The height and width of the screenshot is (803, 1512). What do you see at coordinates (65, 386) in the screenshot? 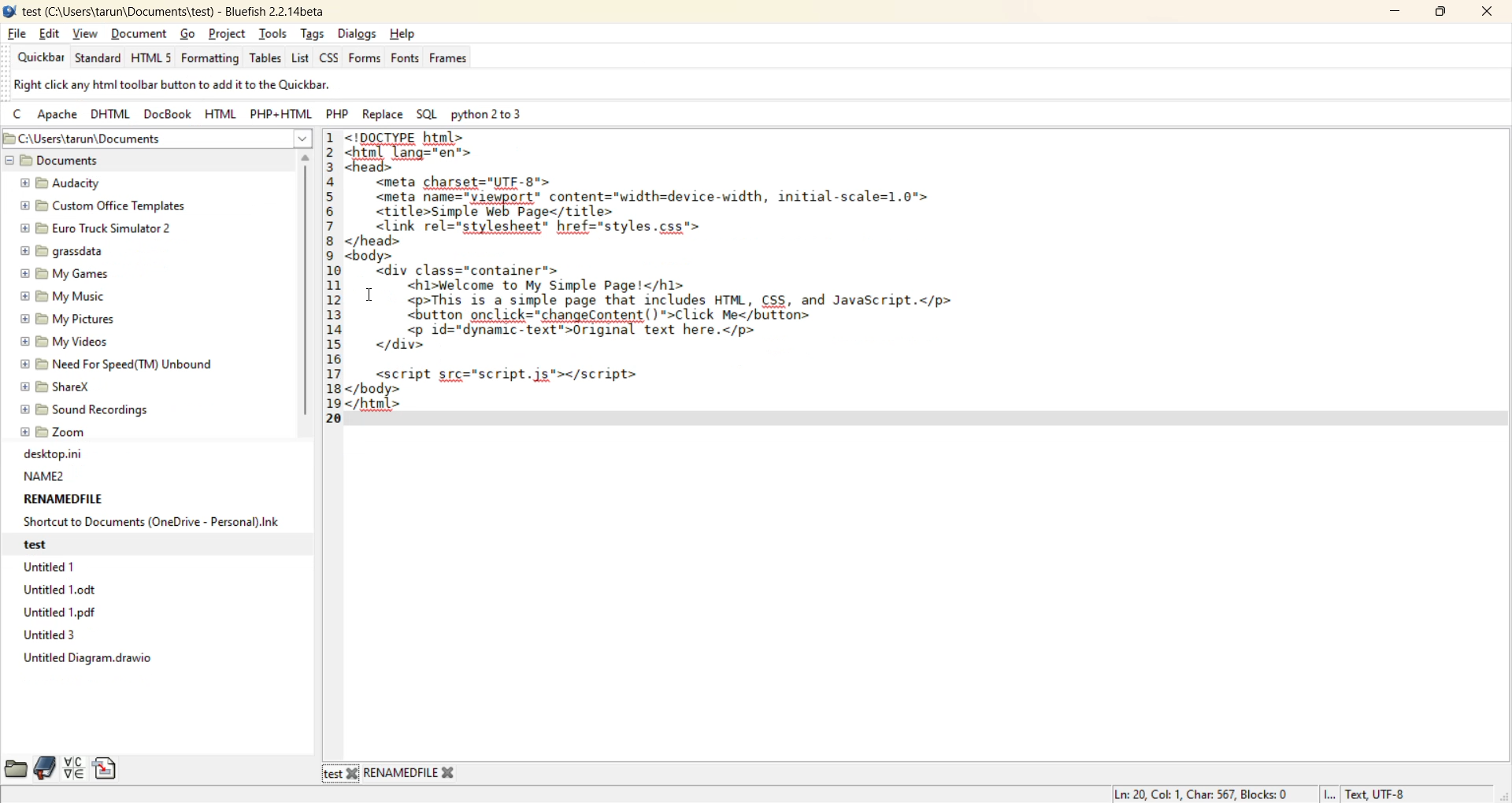
I see `@ [9 ShareX` at bounding box center [65, 386].